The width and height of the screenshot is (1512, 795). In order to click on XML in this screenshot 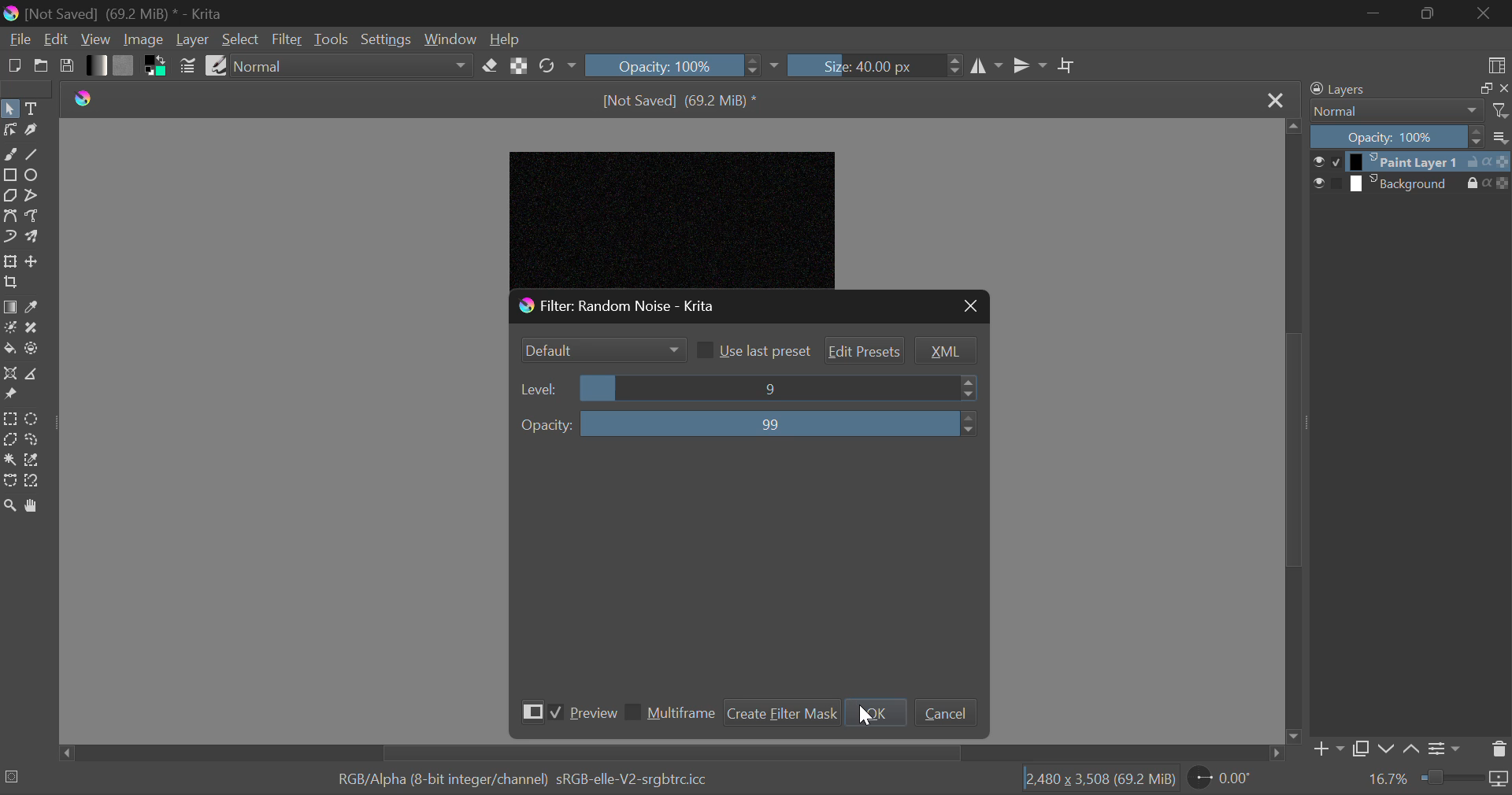, I will do `click(945, 351)`.